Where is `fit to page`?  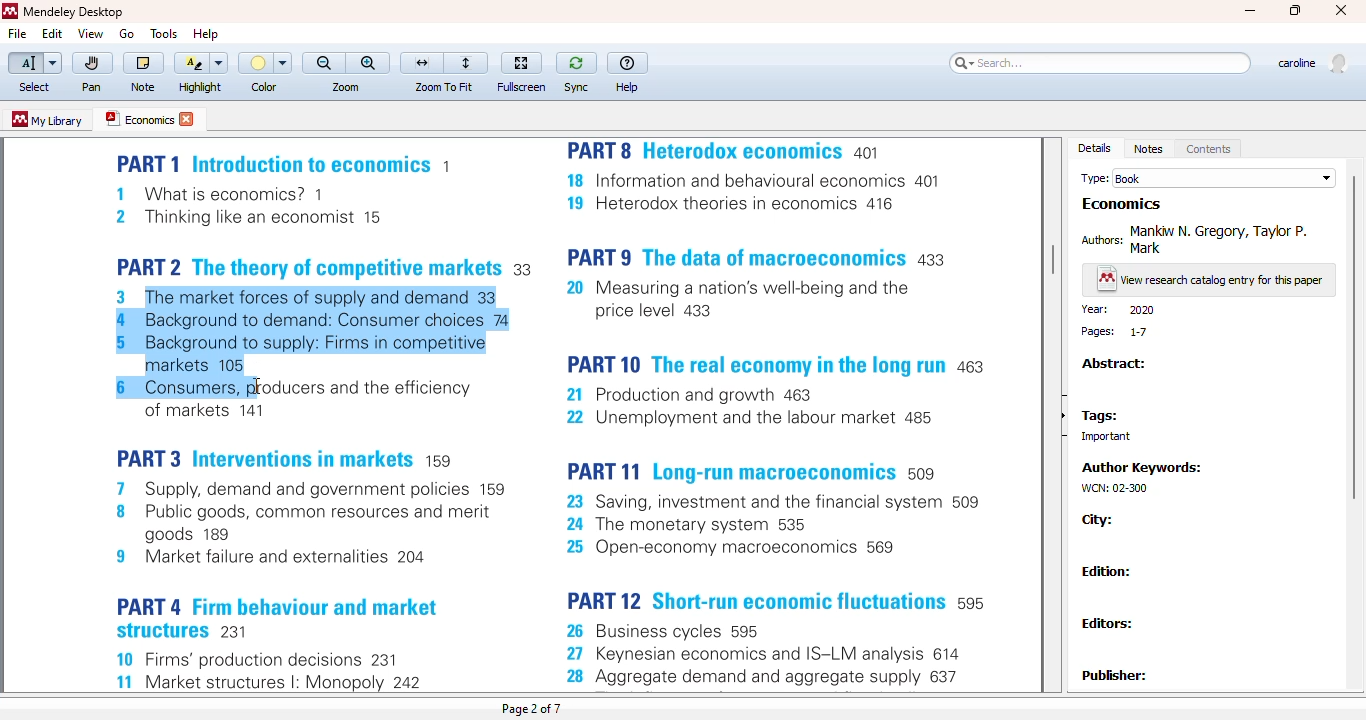
fit to page is located at coordinates (468, 63).